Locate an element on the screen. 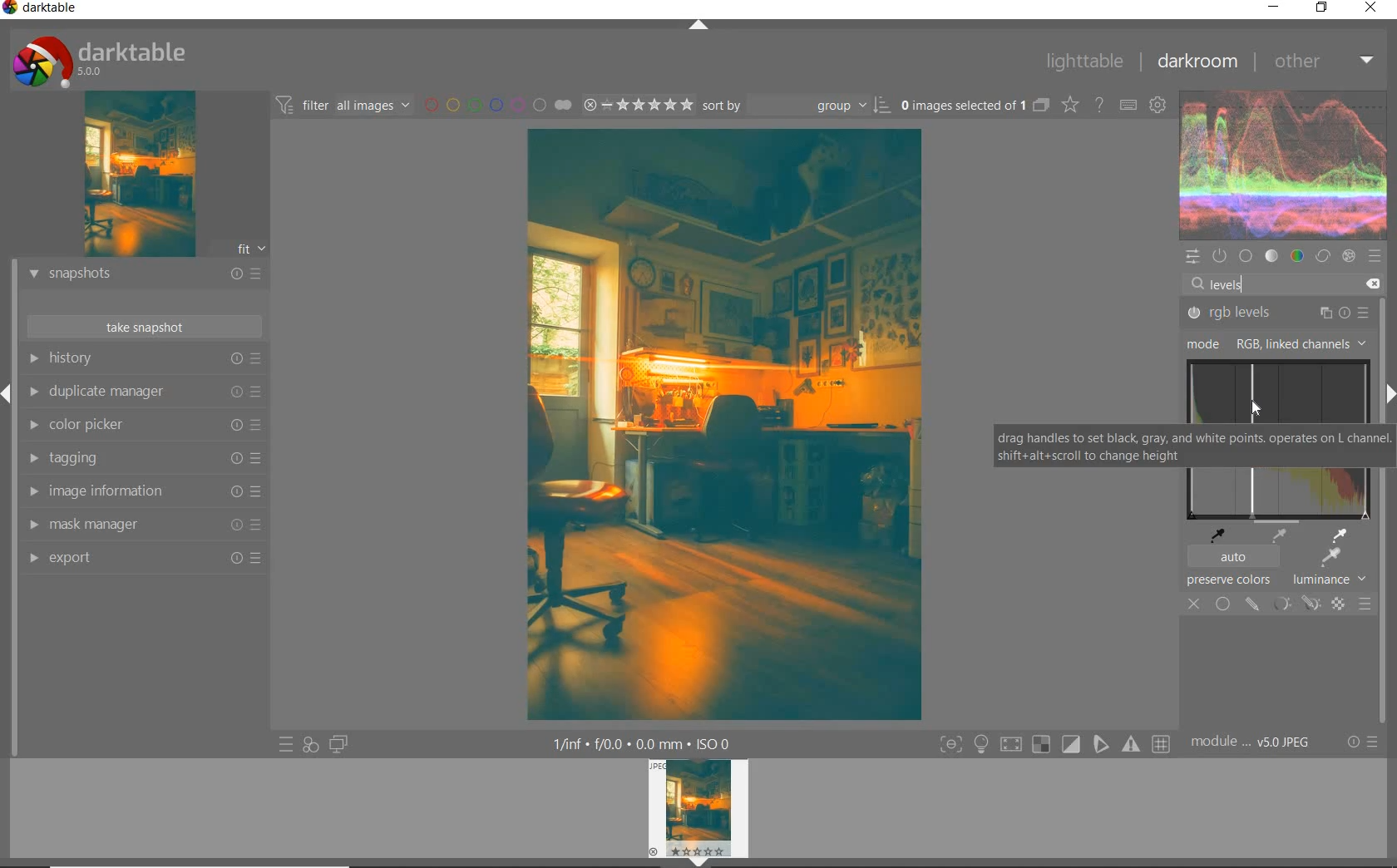  snapshots is located at coordinates (144, 276).